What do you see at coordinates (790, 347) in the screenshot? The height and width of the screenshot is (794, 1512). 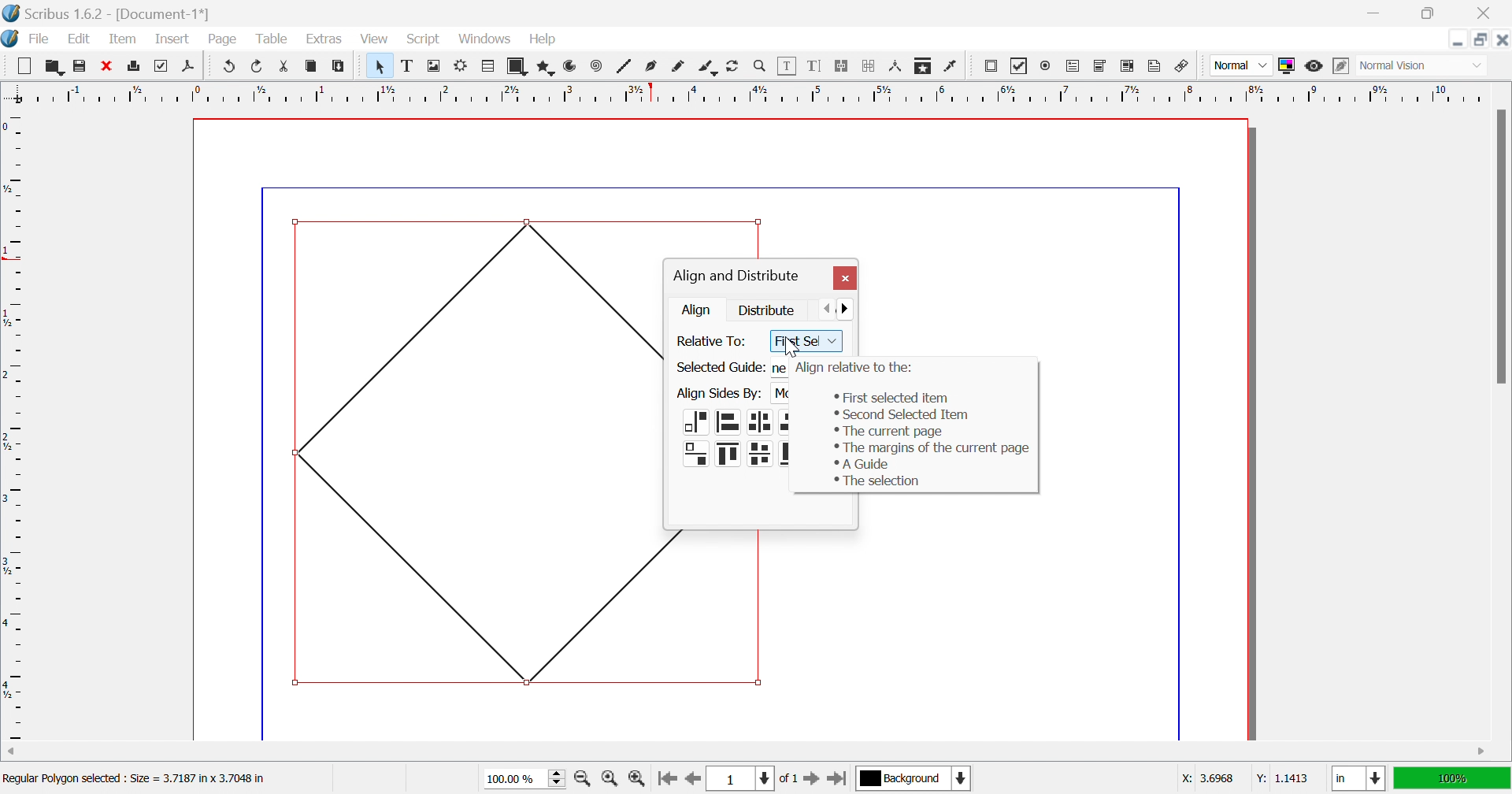 I see `cursor` at bounding box center [790, 347].